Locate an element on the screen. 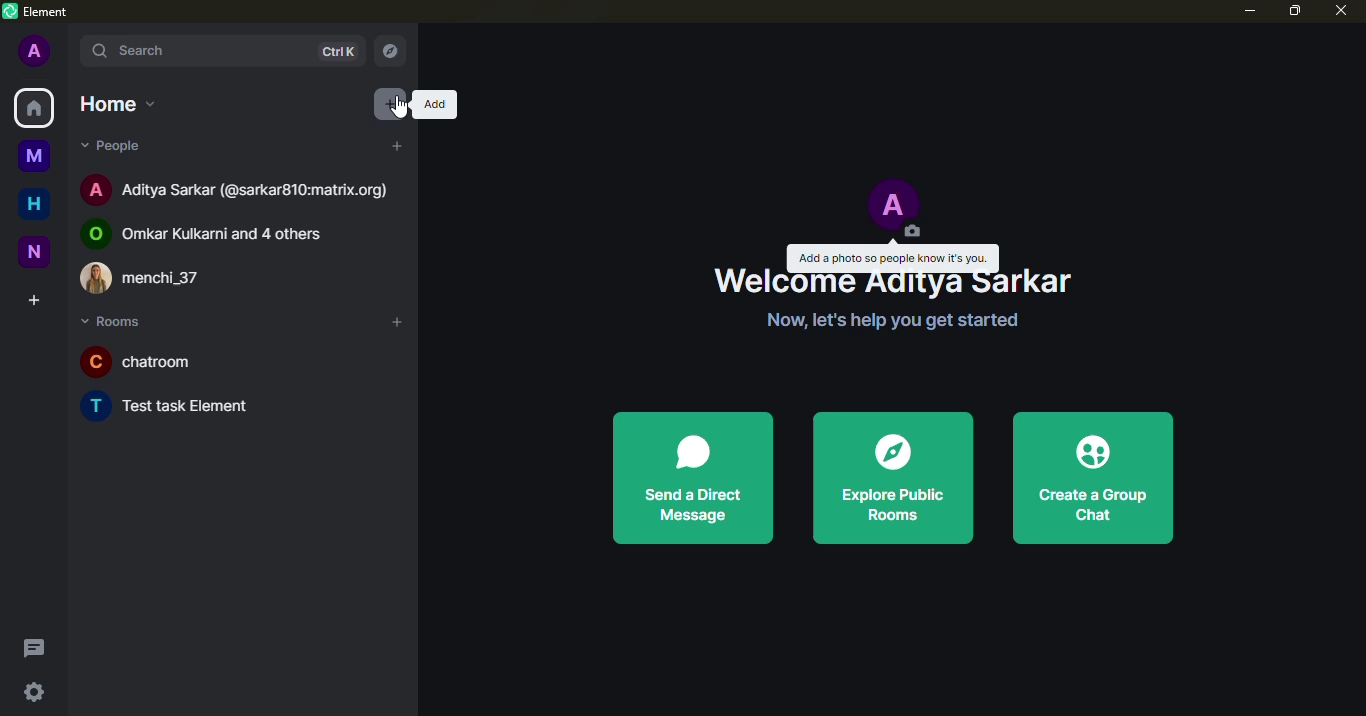  create a group chat is located at coordinates (1094, 477).